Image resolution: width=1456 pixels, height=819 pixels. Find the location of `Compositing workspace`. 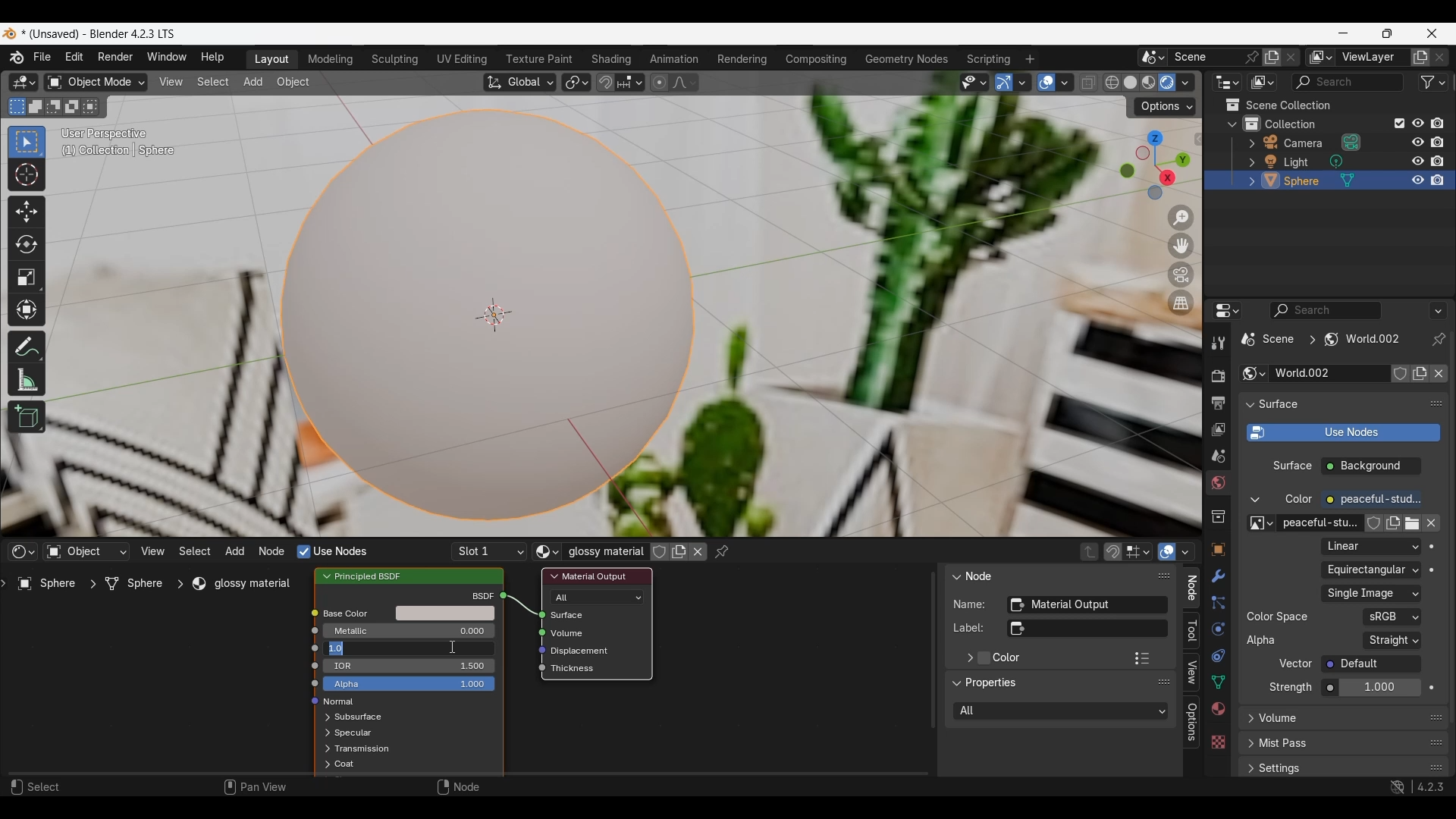

Compositing workspace is located at coordinates (815, 59).